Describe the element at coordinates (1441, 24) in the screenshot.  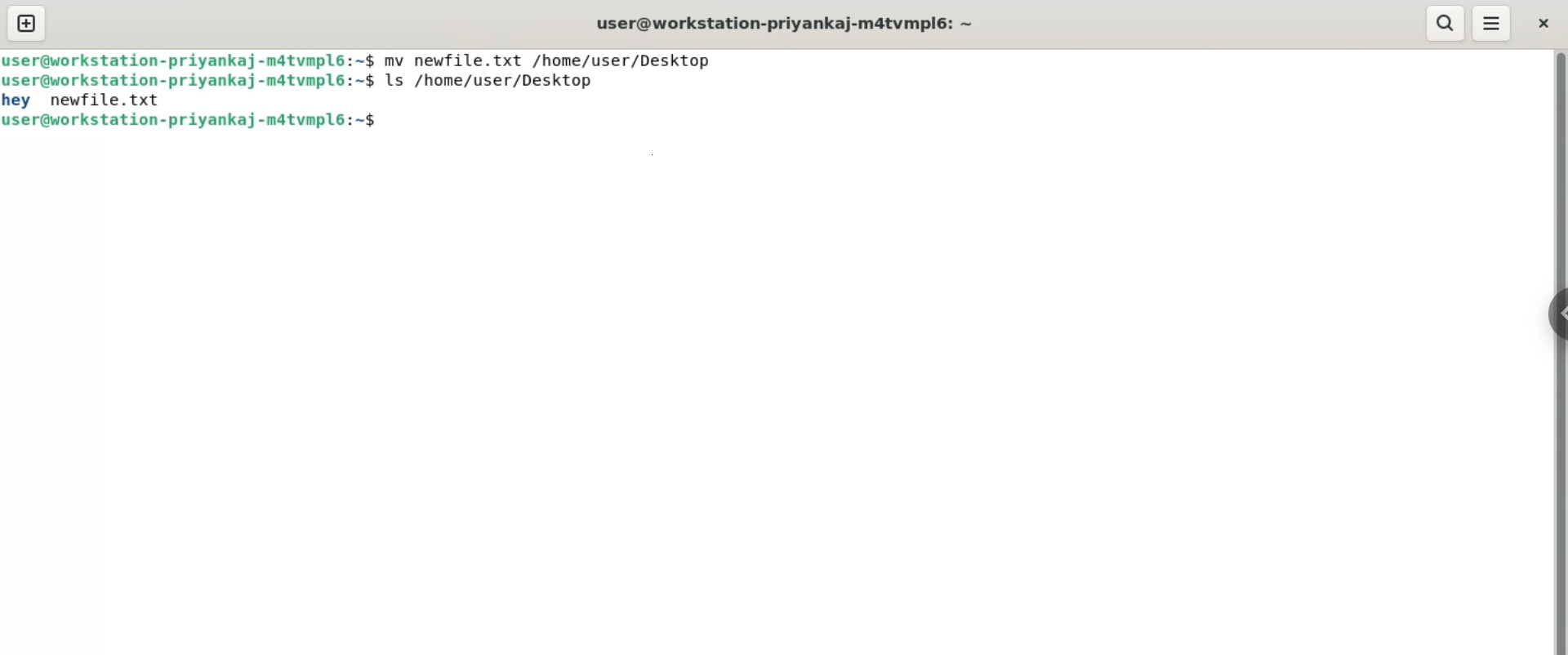
I see `search` at that location.